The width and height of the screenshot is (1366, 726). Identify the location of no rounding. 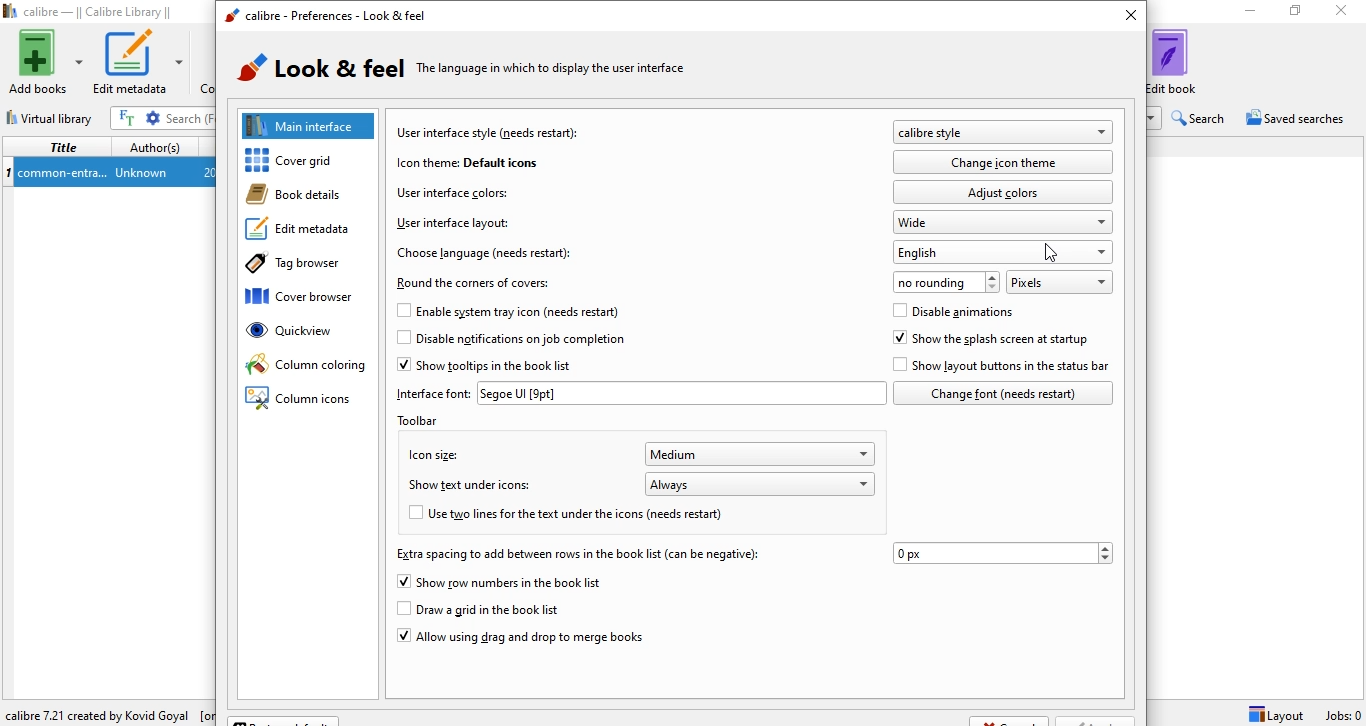
(947, 281).